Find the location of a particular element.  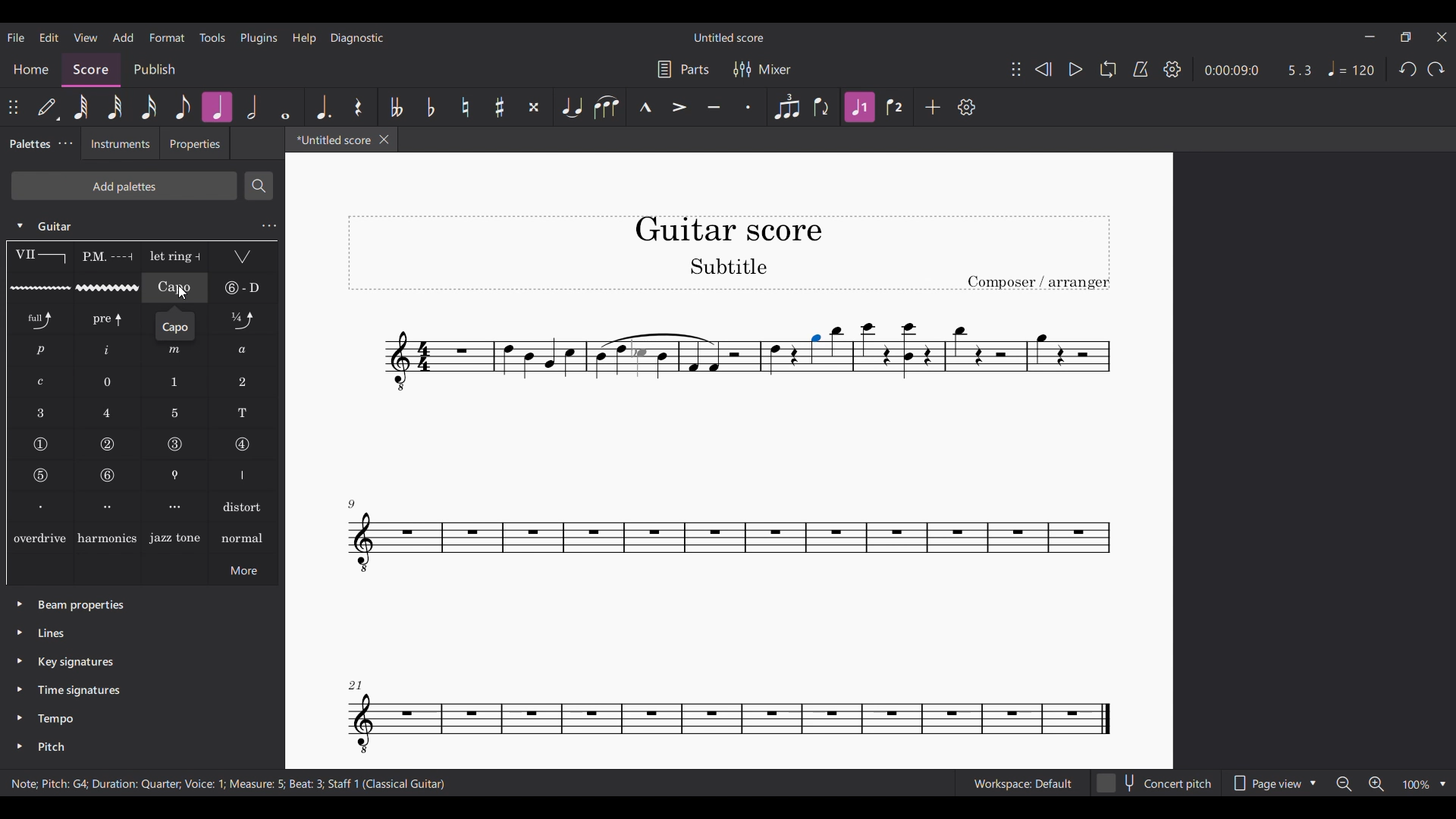

View menu is located at coordinates (86, 38).